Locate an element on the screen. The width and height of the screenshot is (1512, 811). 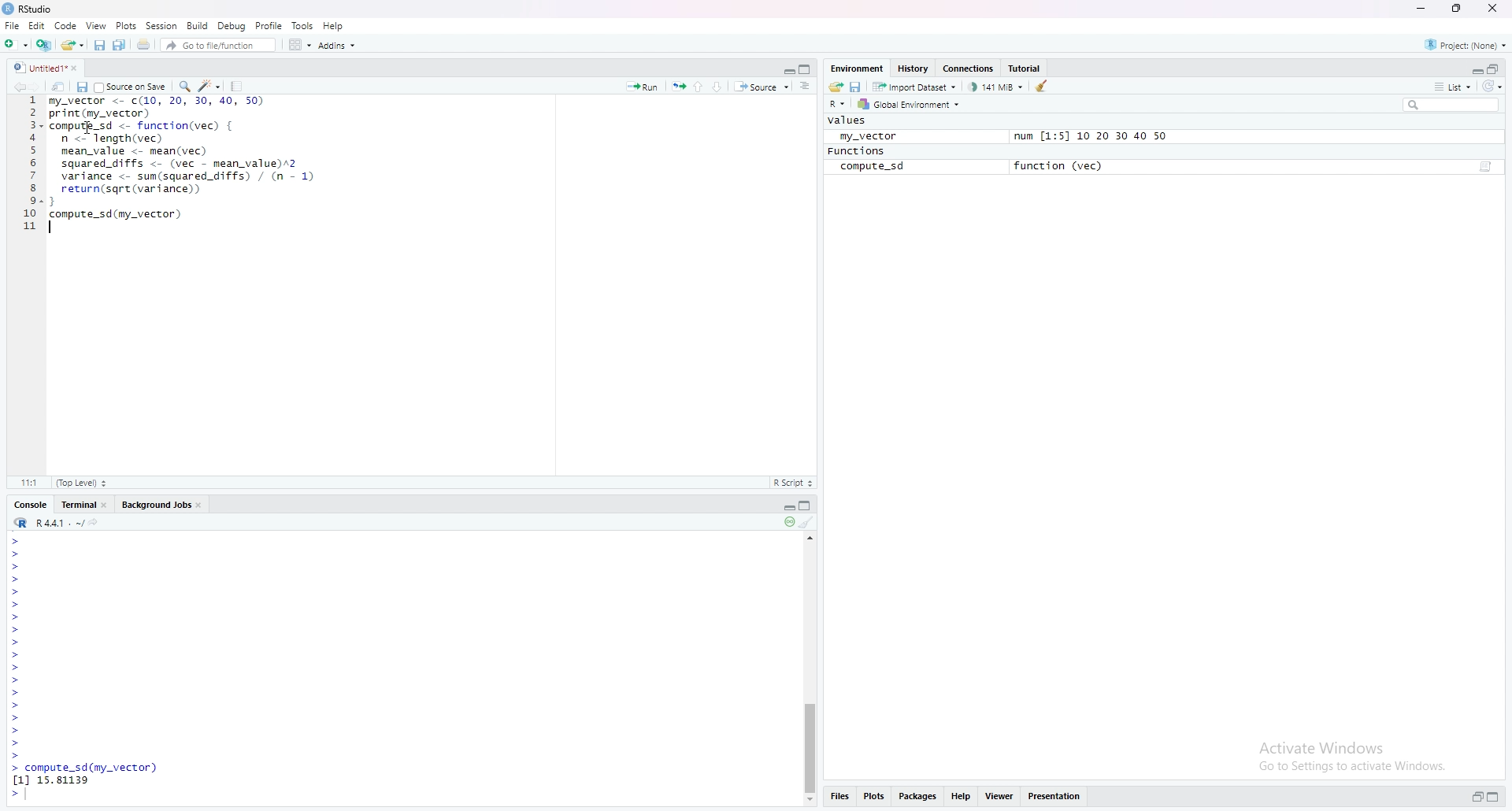
compute_sd(my_vector) [1] 15.81139 is located at coordinates (84, 774).